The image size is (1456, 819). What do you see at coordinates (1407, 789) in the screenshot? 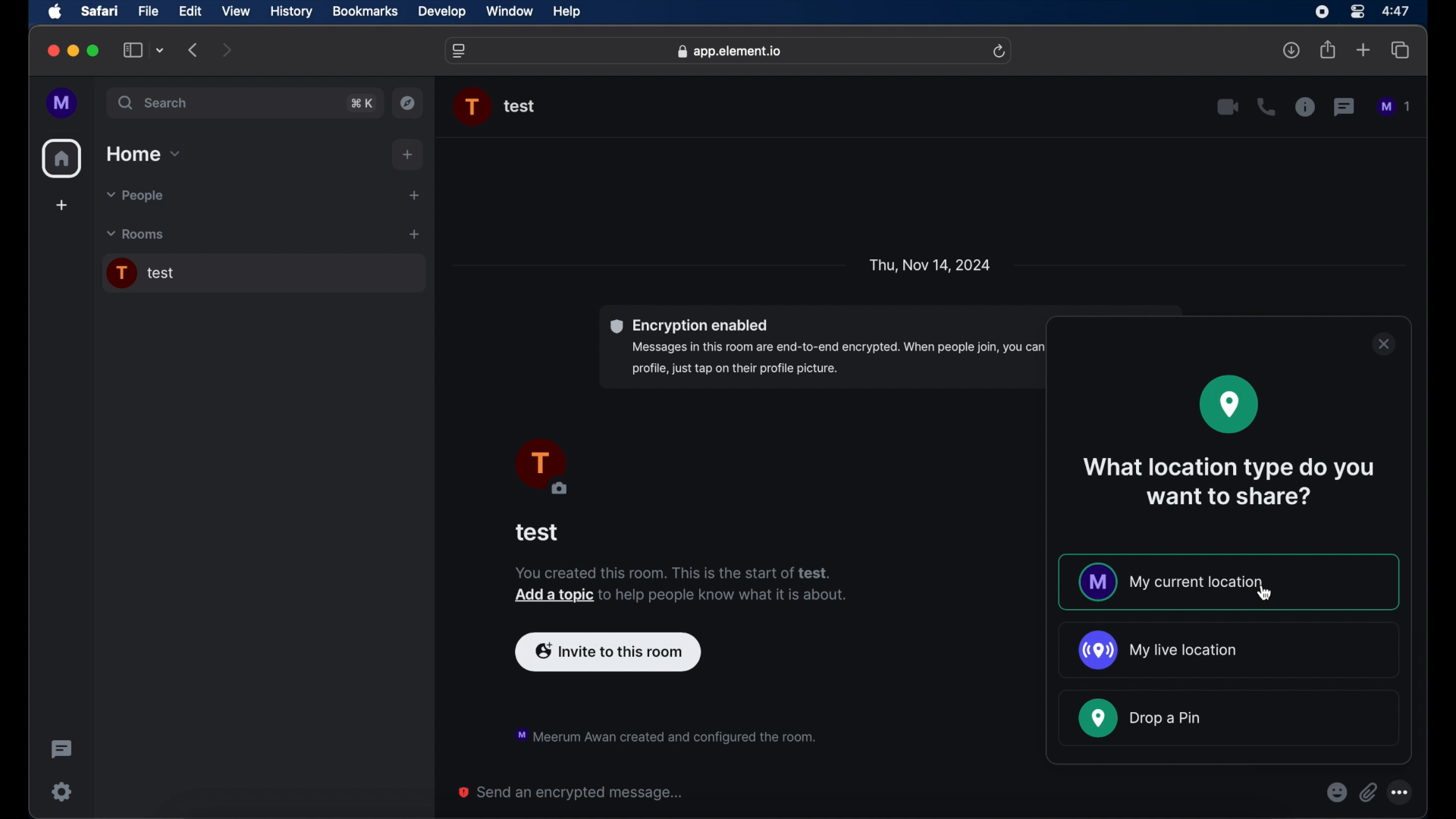
I see `Options` at bounding box center [1407, 789].